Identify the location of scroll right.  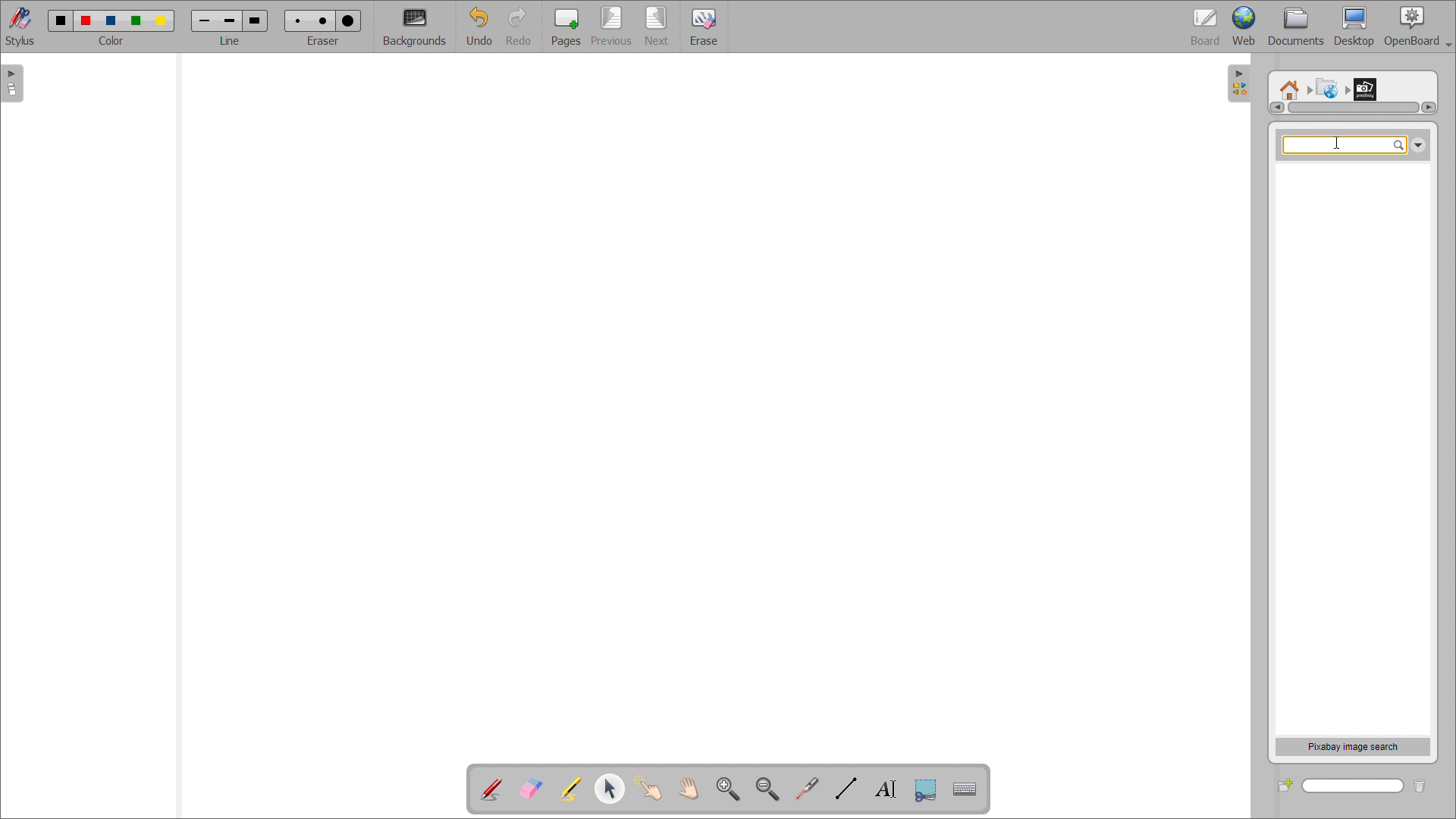
(1428, 107).